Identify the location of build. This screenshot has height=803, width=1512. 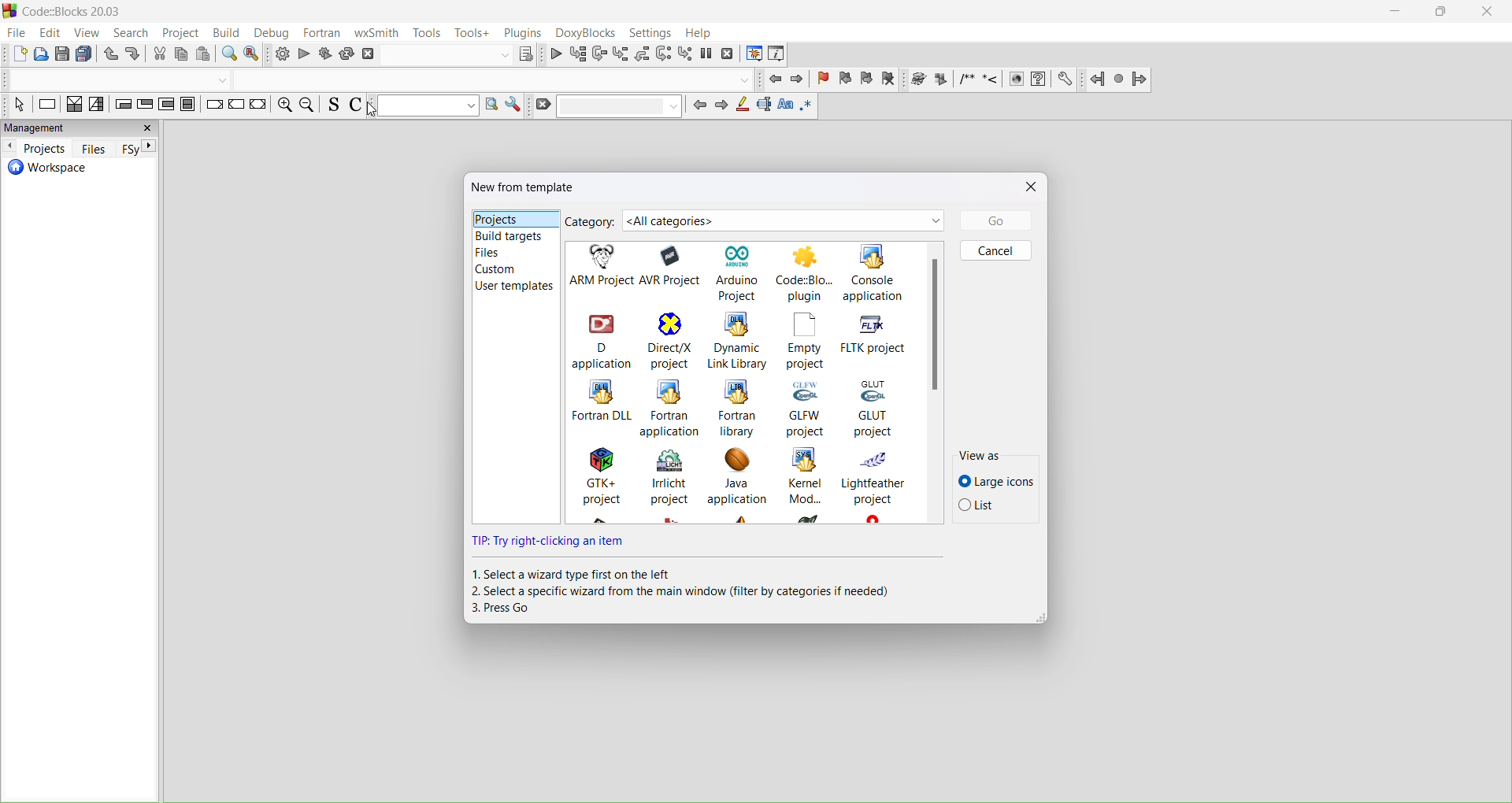
(231, 35).